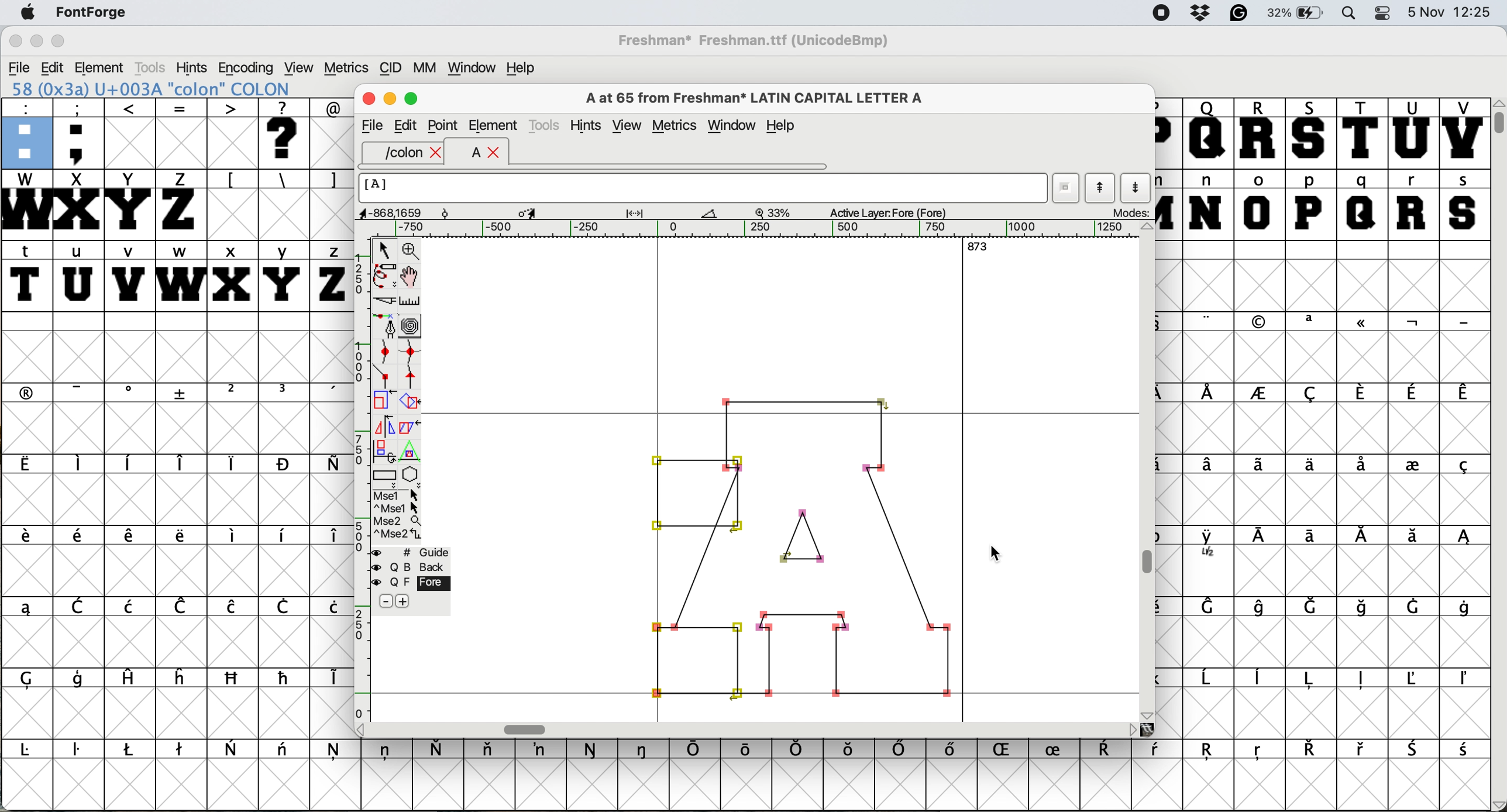 The width and height of the screenshot is (1507, 812). What do you see at coordinates (410, 426) in the screenshot?
I see `skew the selection` at bounding box center [410, 426].